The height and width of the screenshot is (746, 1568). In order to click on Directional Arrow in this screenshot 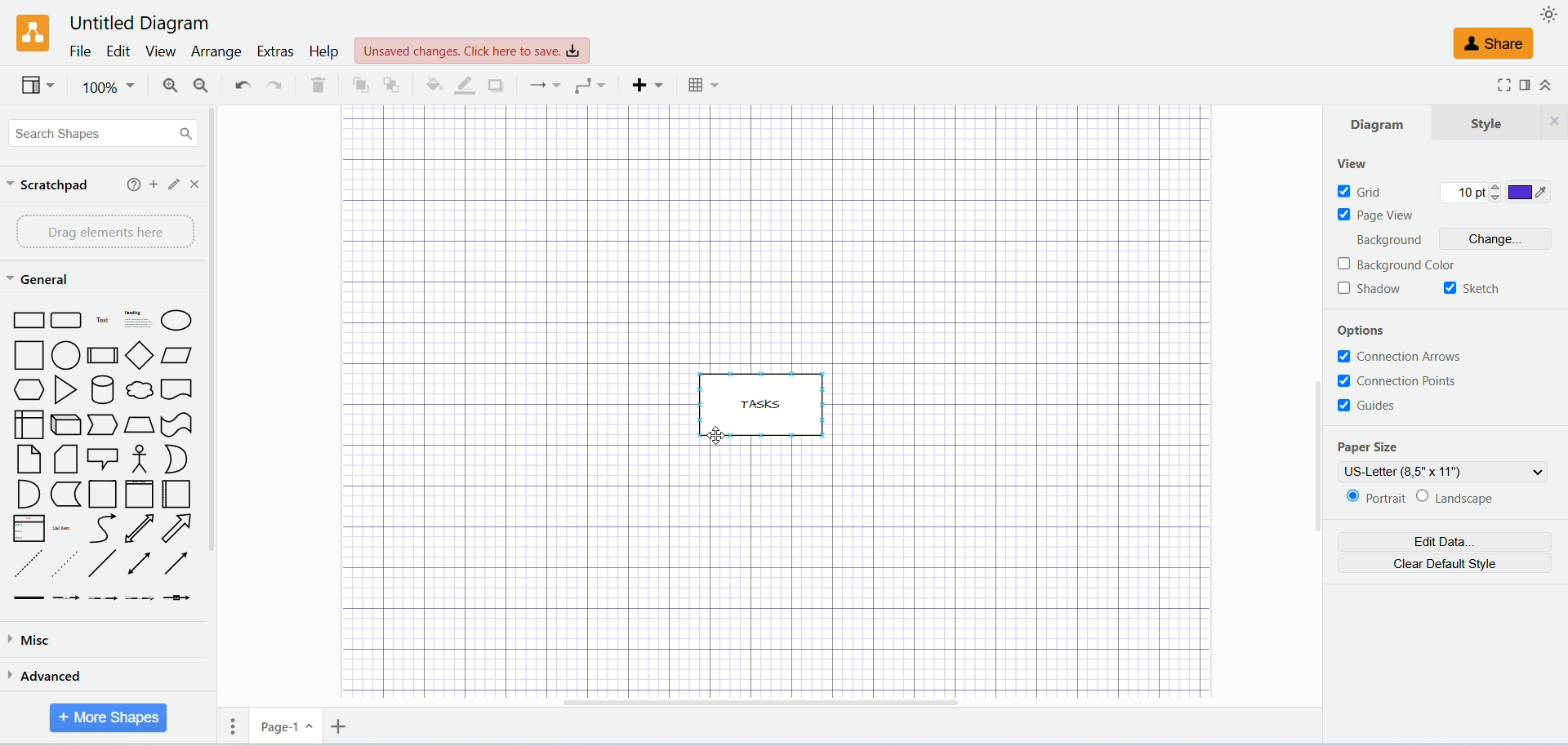, I will do `click(180, 562)`.